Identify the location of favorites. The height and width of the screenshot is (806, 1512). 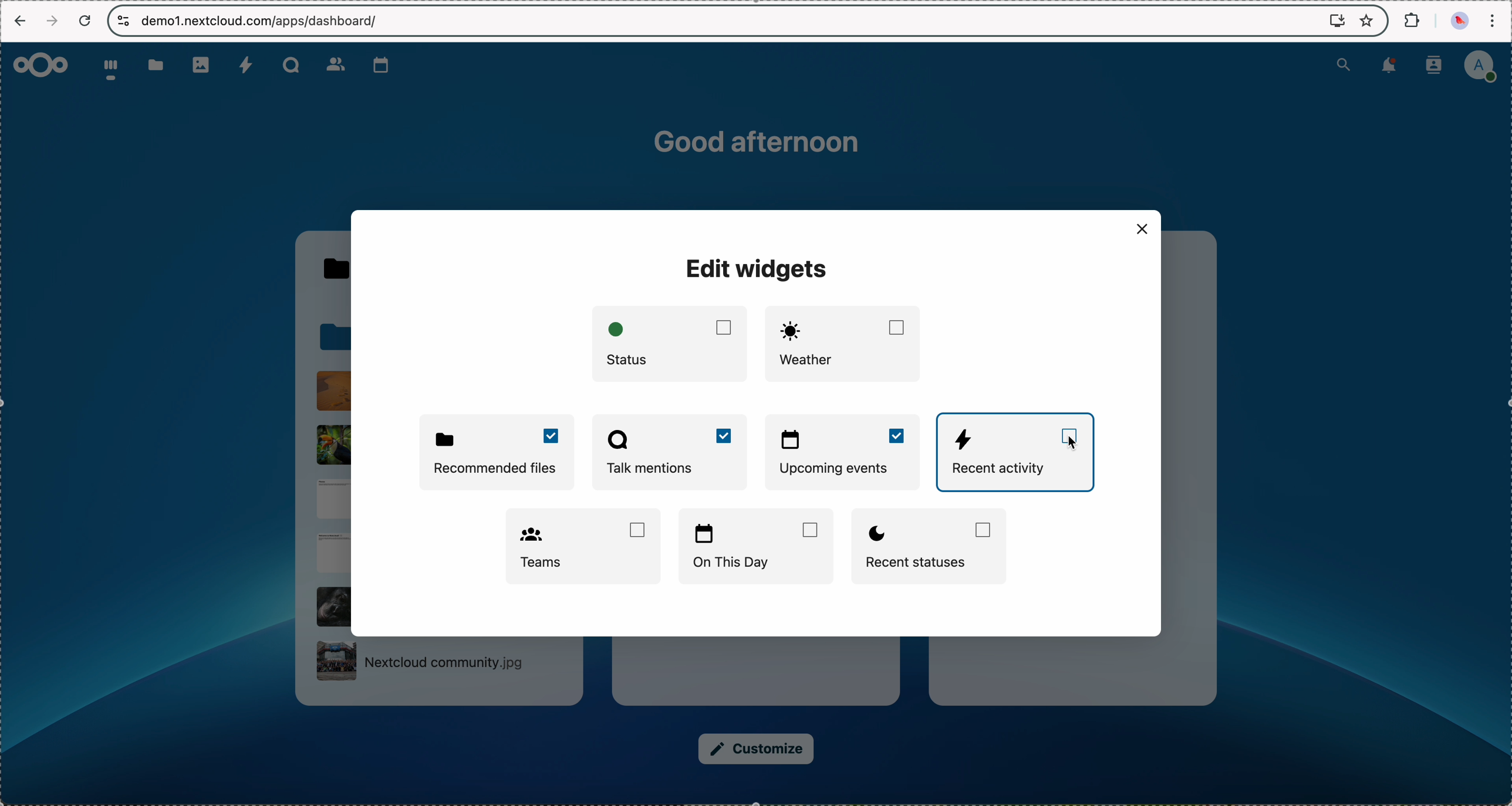
(1369, 22).